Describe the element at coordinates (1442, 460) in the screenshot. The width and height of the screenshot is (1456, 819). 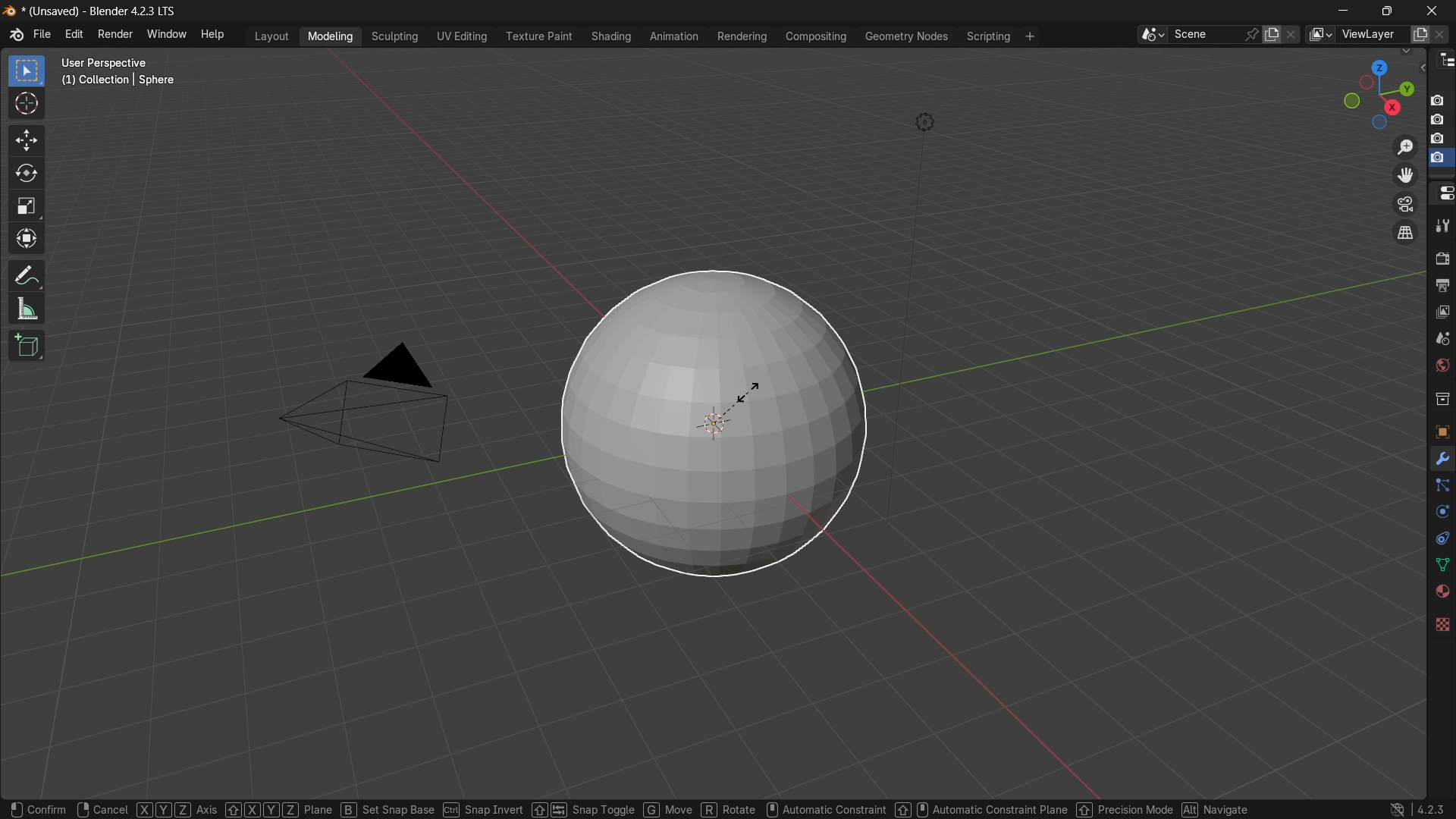
I see `modifier` at that location.